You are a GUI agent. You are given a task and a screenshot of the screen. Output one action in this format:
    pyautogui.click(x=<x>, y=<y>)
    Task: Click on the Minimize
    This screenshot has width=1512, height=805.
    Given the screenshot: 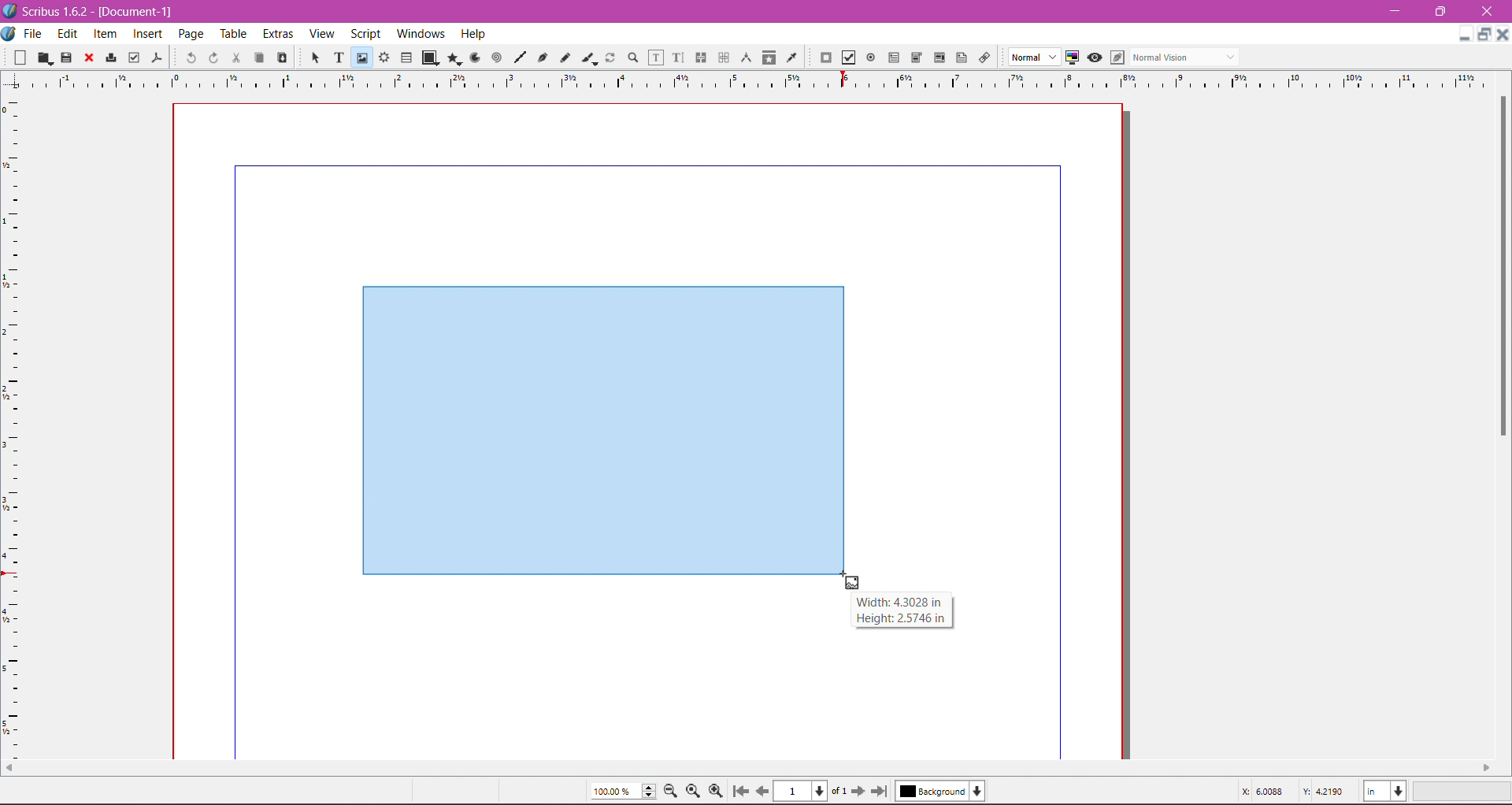 What is the action you would take?
    pyautogui.click(x=1396, y=10)
    